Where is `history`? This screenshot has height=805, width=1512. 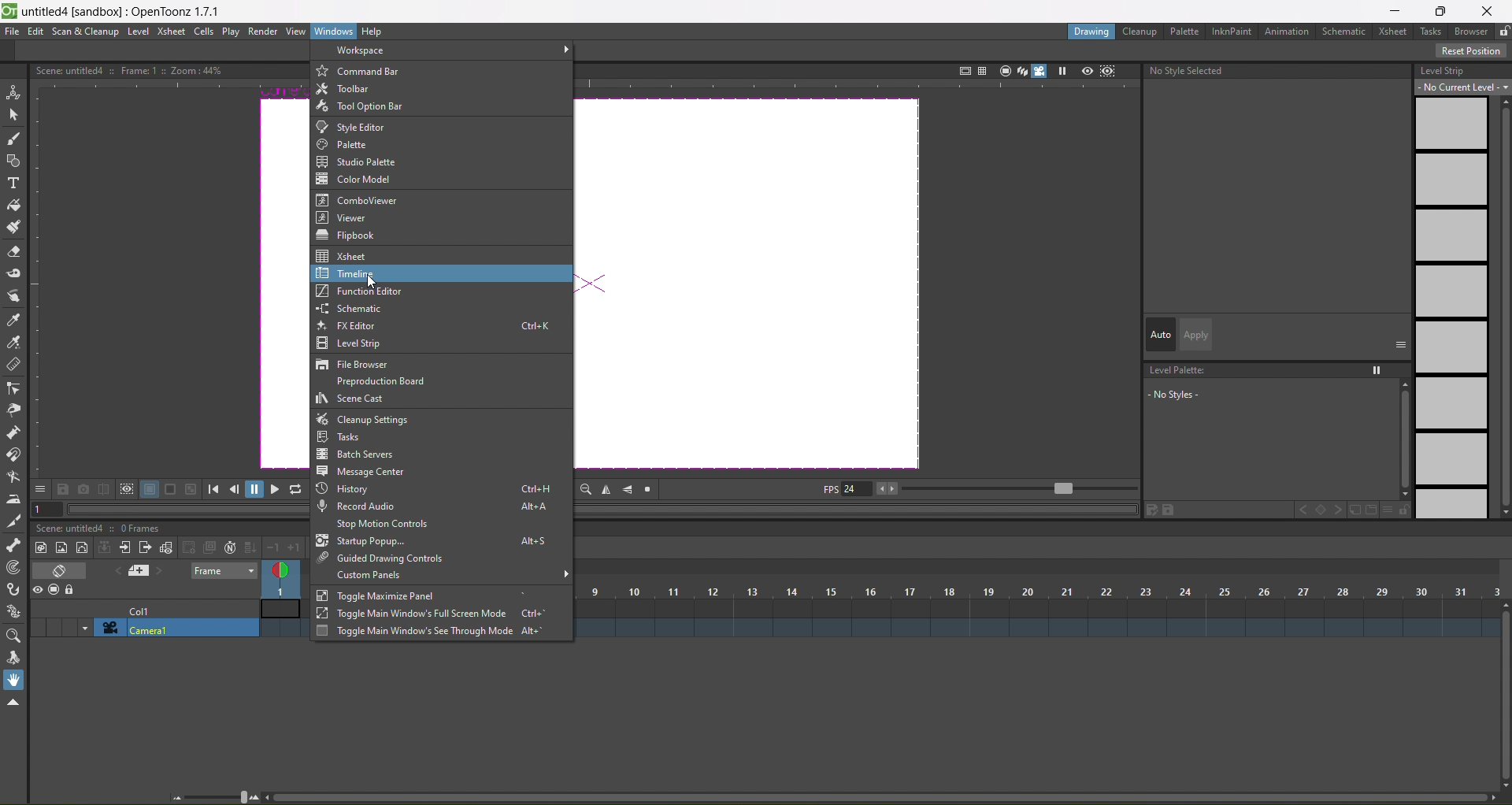 history is located at coordinates (437, 490).